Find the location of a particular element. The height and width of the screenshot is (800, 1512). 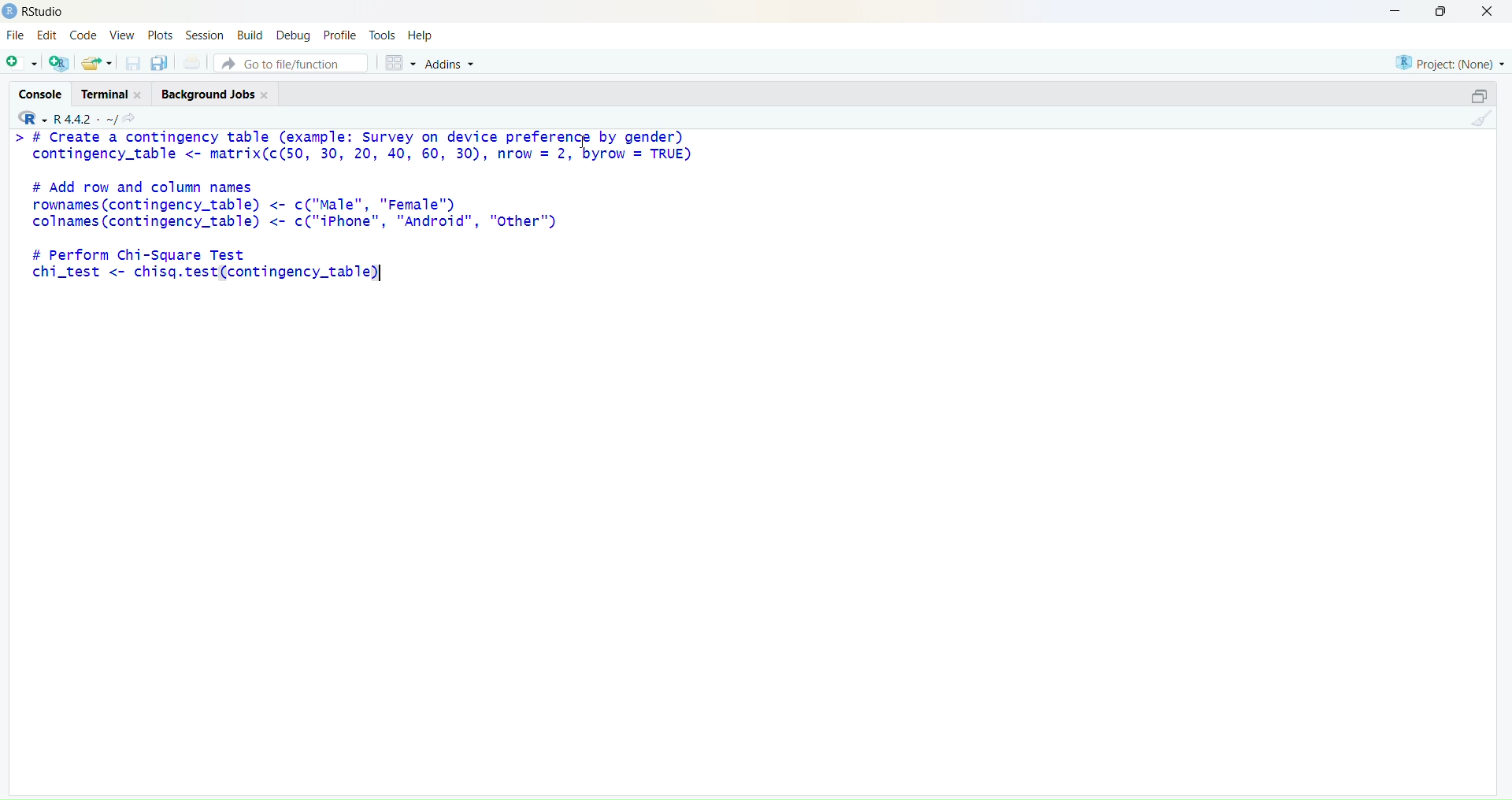

# Perform Chi-Square Testchi_test <- chisq.test(contingency_table) is located at coordinates (209, 265).